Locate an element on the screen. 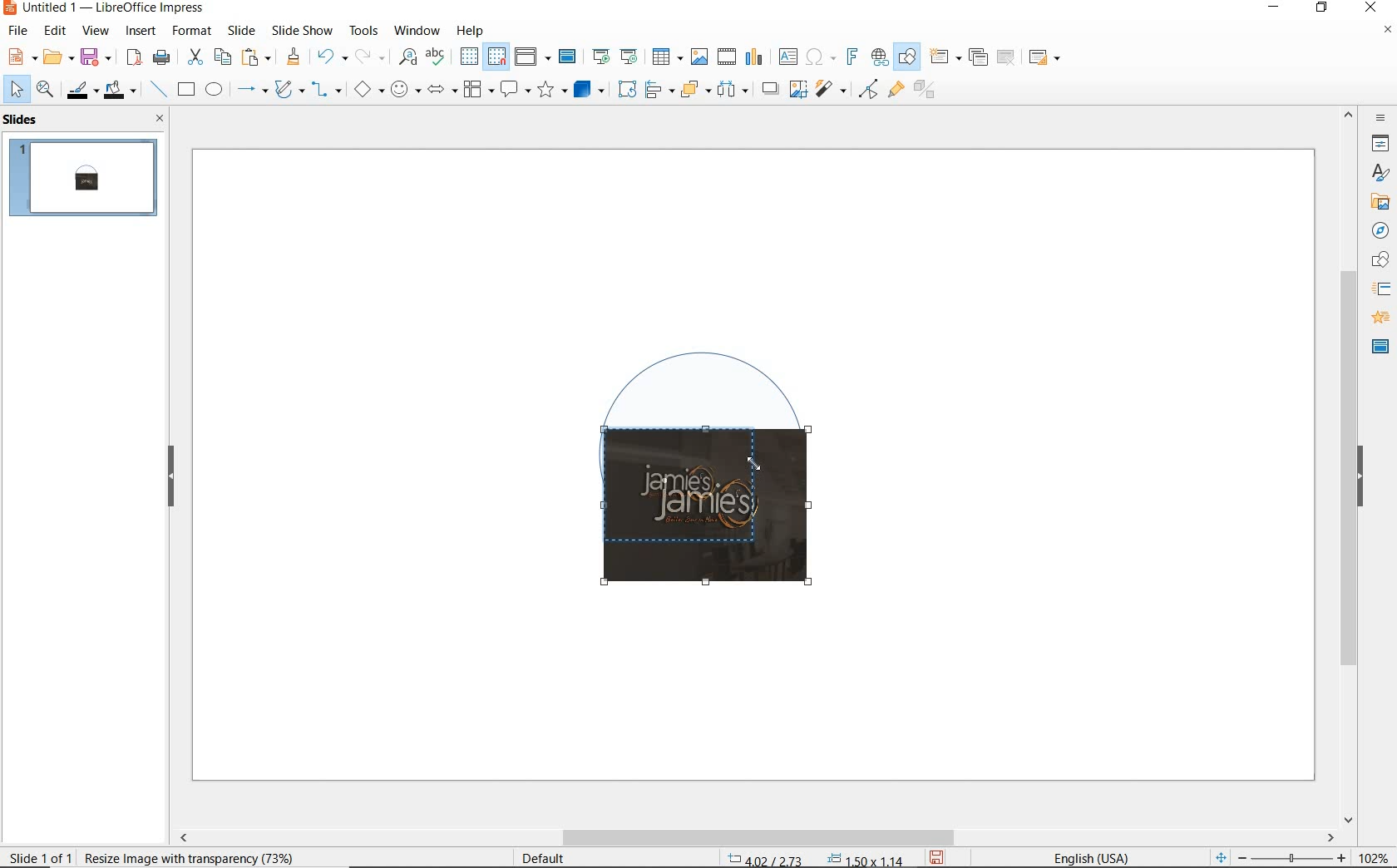 This screenshot has width=1397, height=868. toggle extrusion is located at coordinates (929, 91).